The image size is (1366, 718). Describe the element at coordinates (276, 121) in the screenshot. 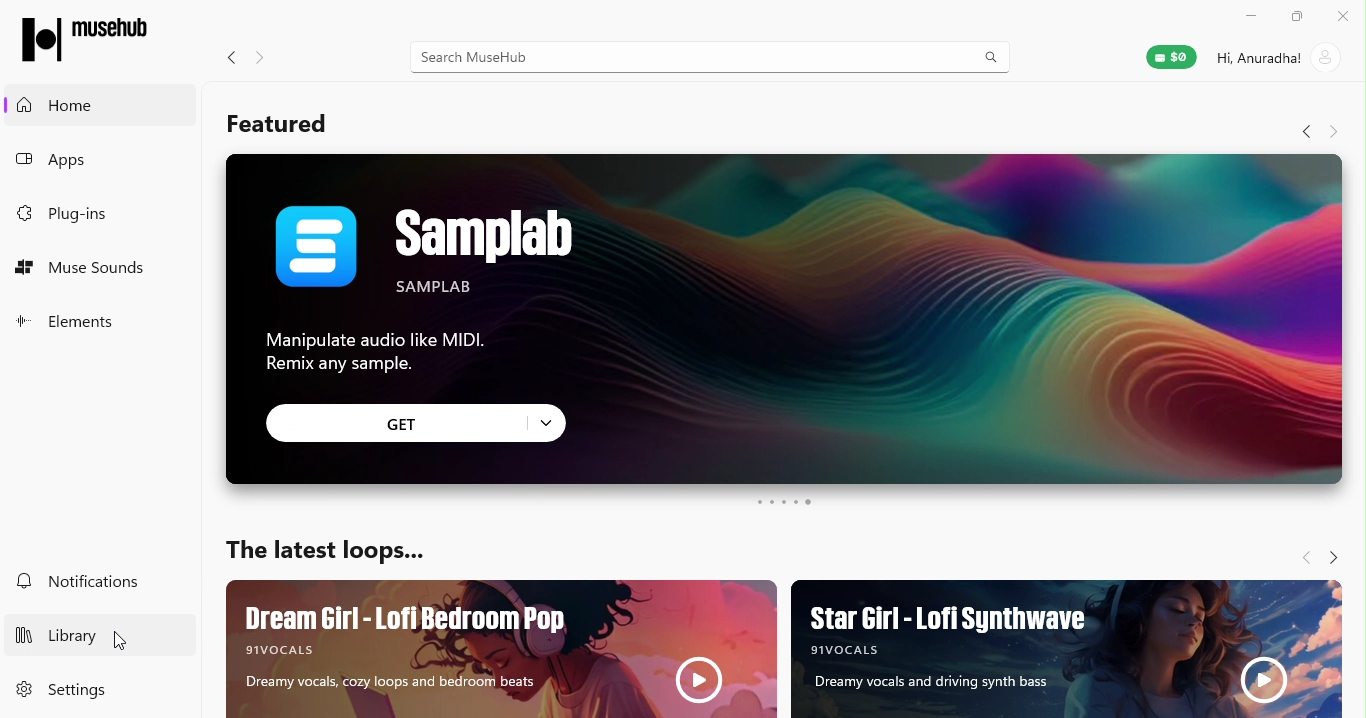

I see `Featured` at that location.